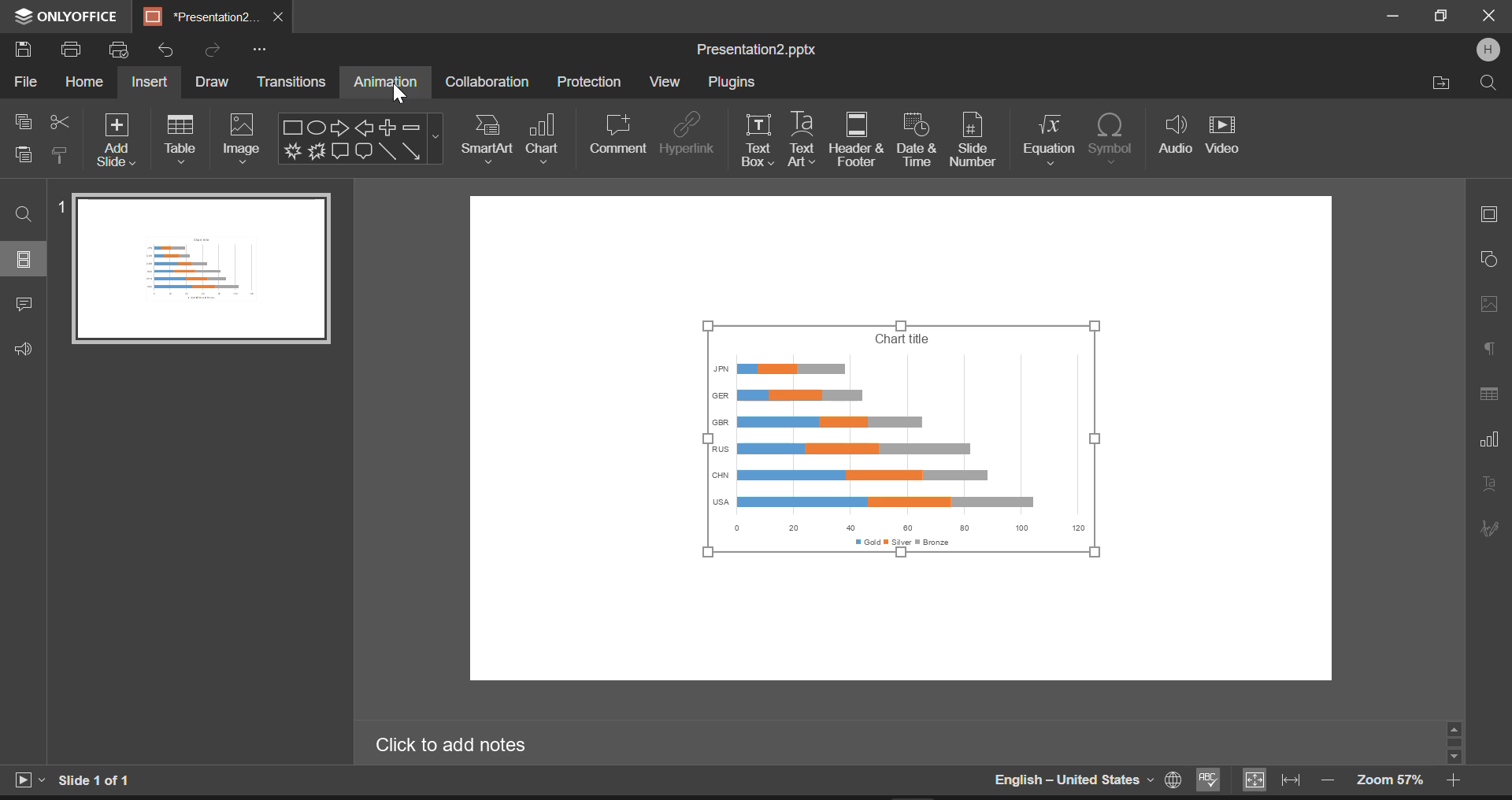 This screenshot has height=800, width=1512. Describe the element at coordinates (1489, 345) in the screenshot. I see `Paragraph Settings` at that location.